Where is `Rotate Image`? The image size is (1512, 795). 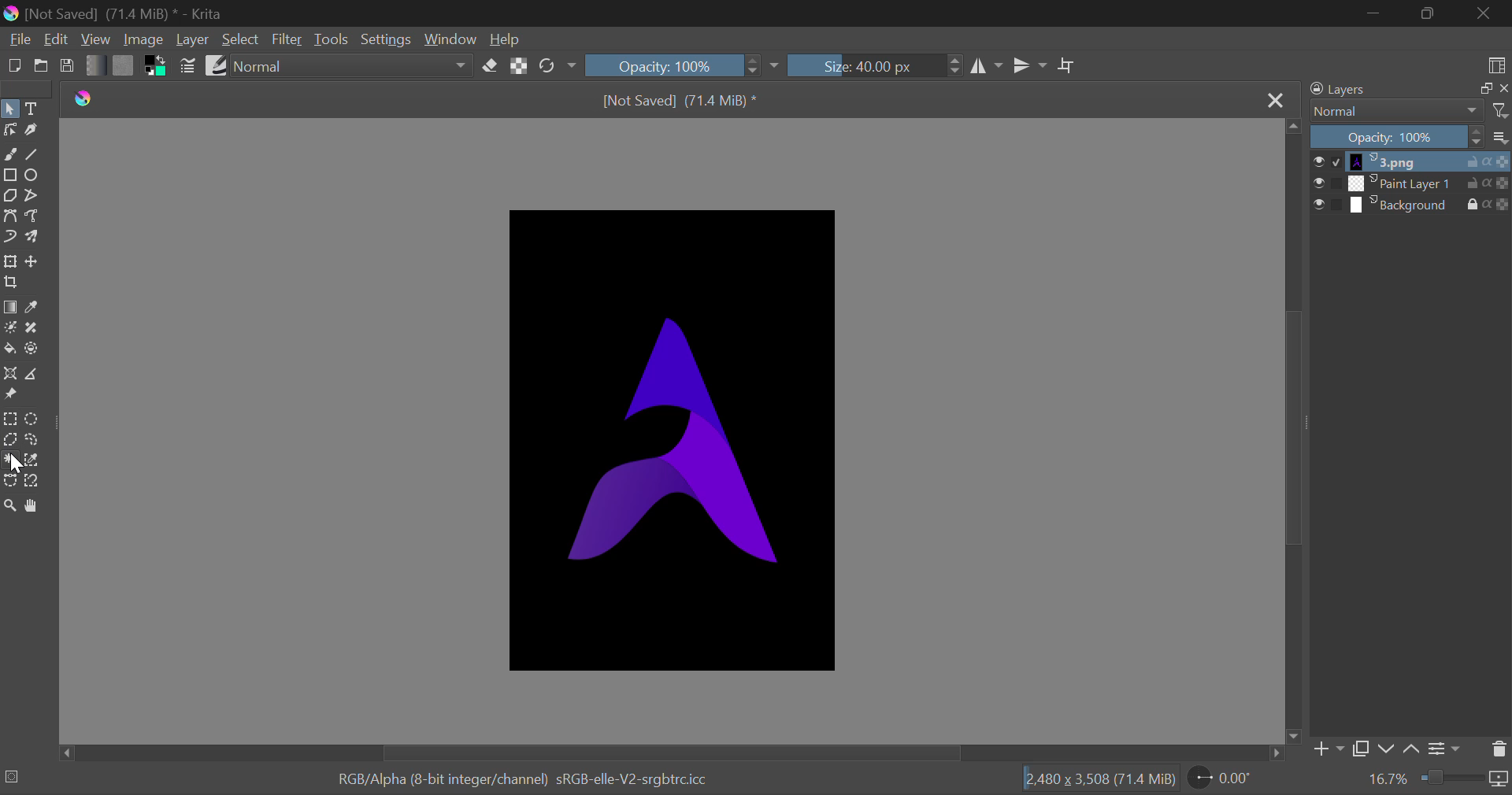 Rotate Image is located at coordinates (558, 66).